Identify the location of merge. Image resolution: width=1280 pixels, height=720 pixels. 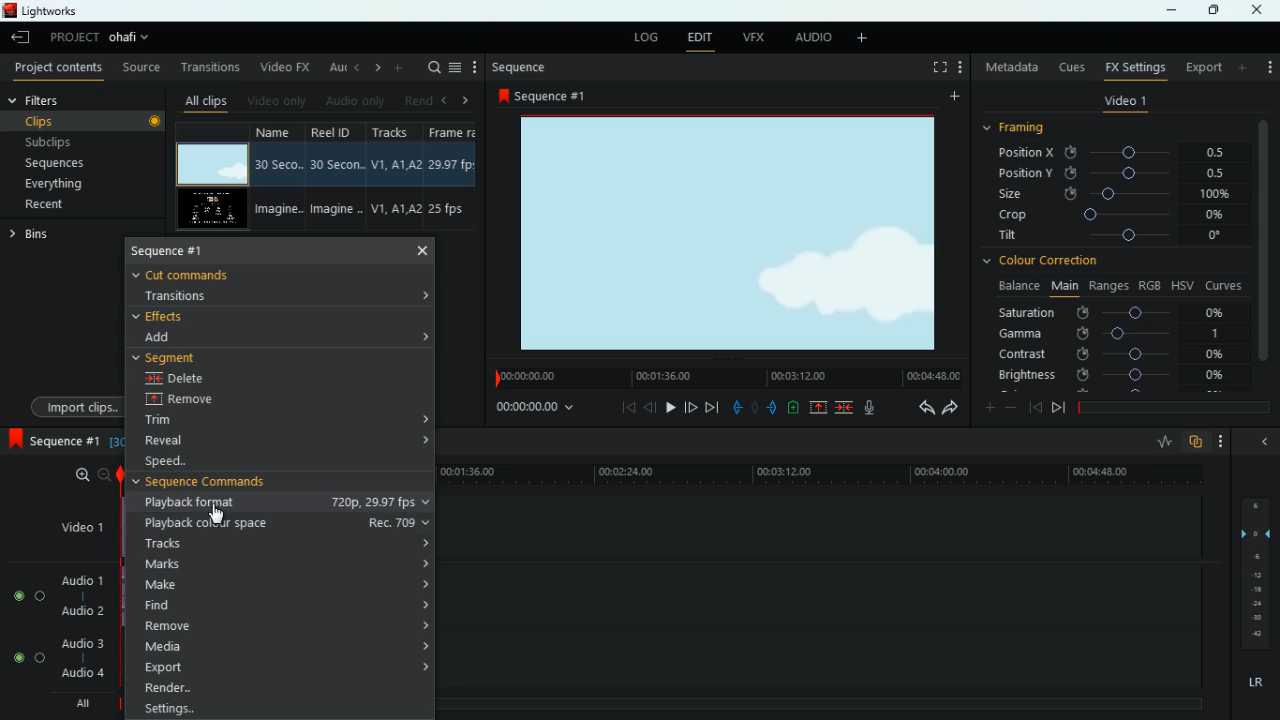
(847, 409).